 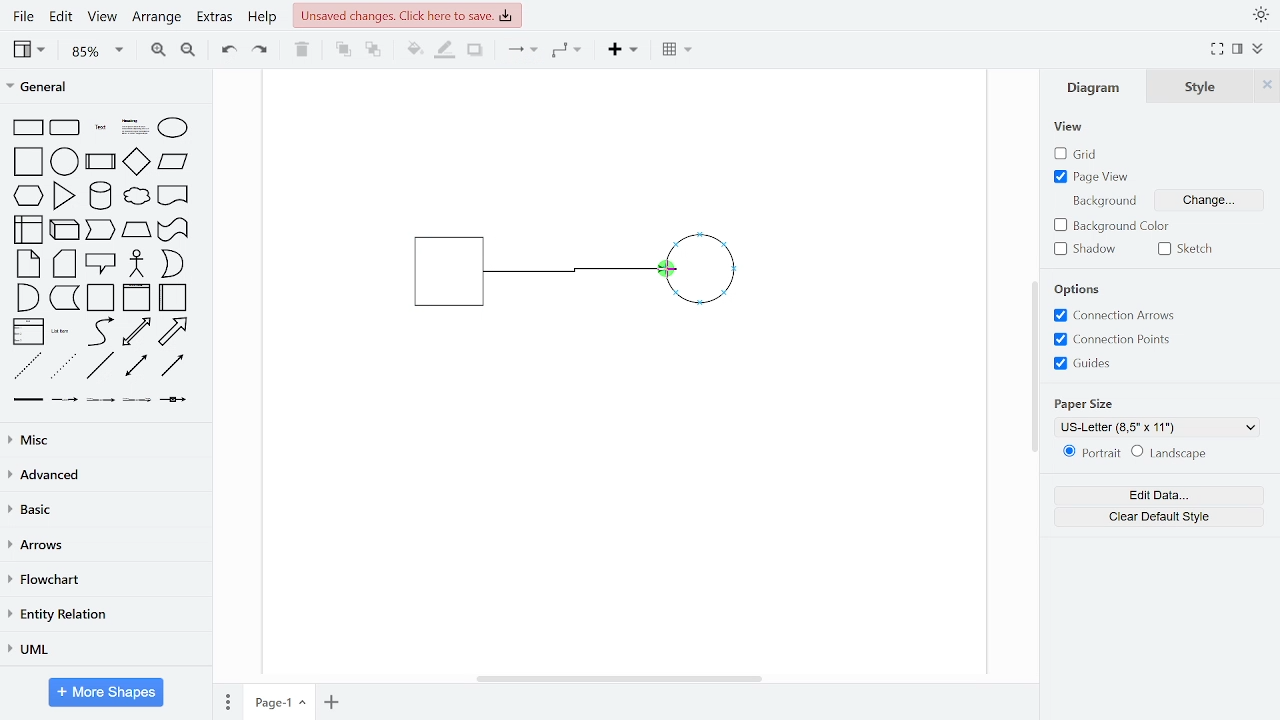 I want to click on options, so click(x=1083, y=290).